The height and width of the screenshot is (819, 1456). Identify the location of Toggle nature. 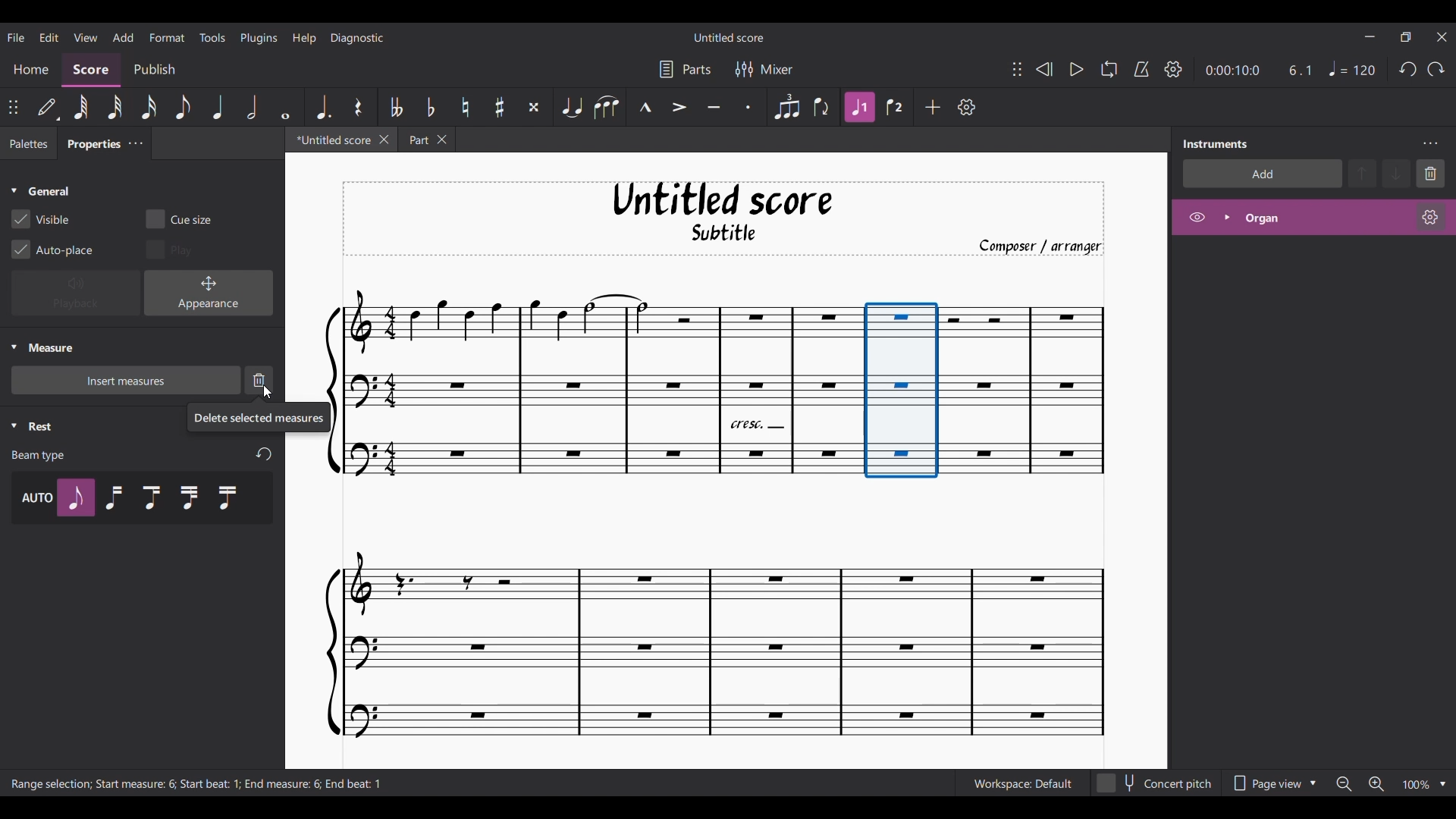
(464, 107).